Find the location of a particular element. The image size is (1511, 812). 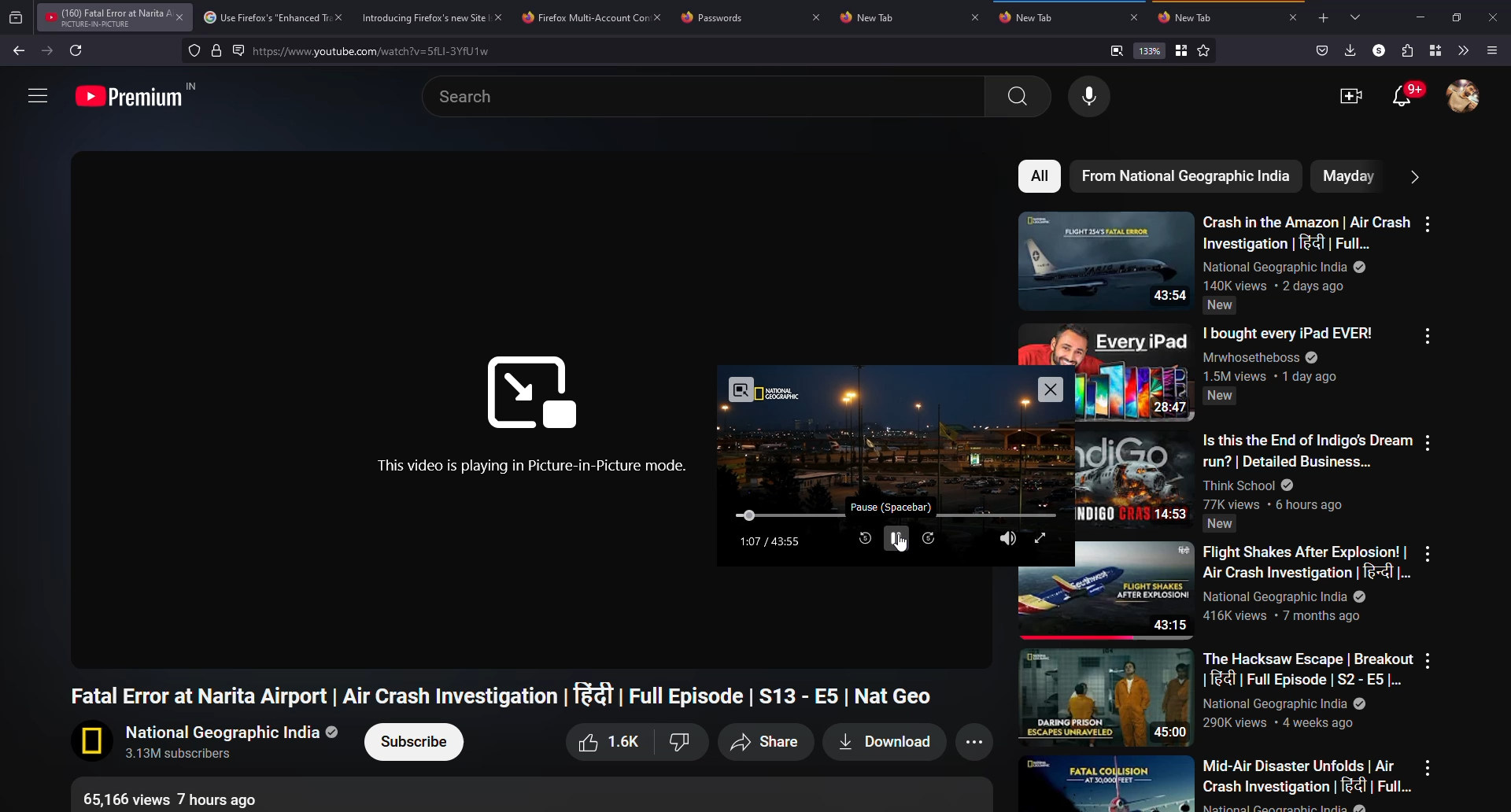

next is located at coordinates (930, 537).